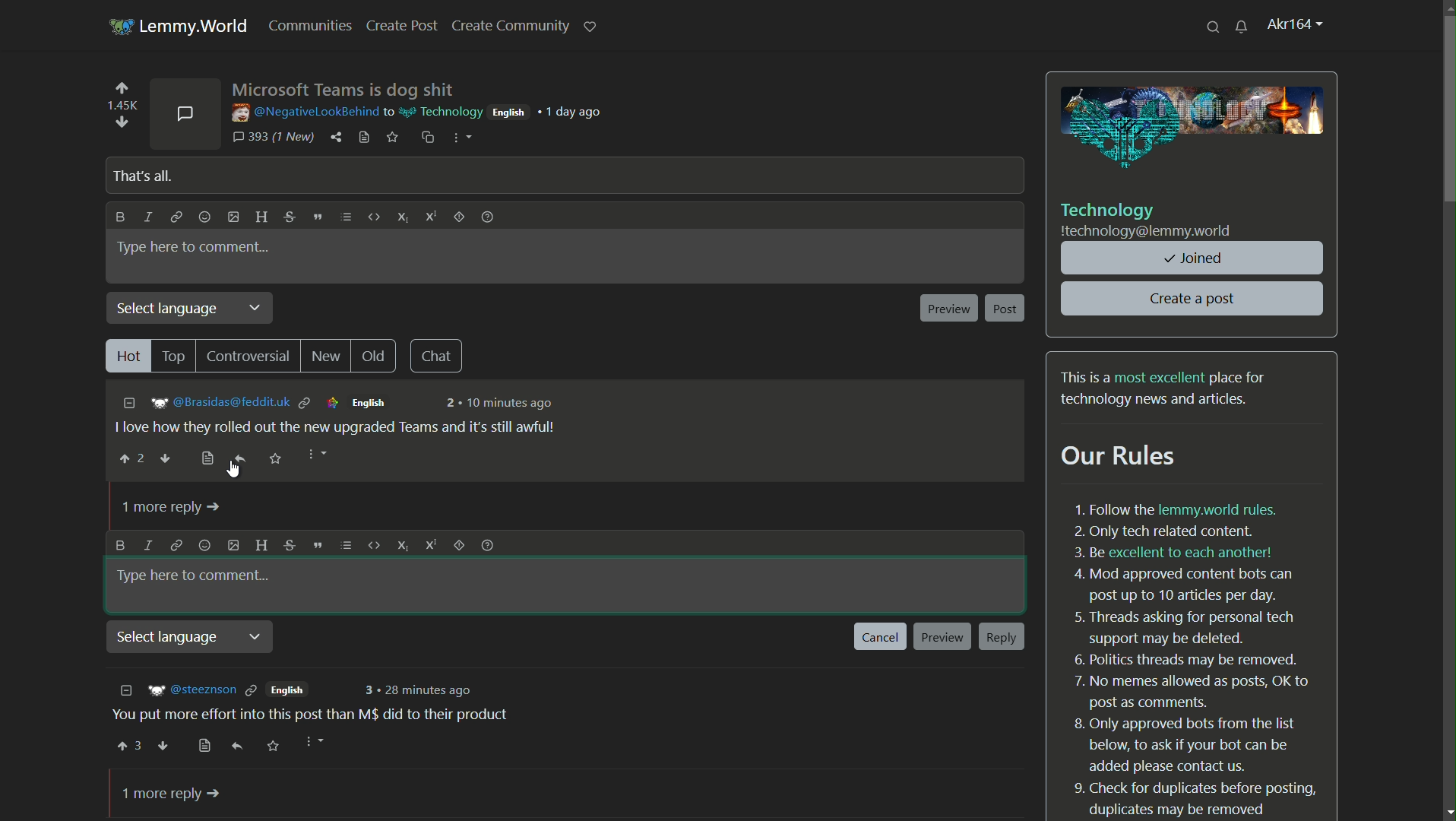 The height and width of the screenshot is (821, 1456). Describe the element at coordinates (1242, 26) in the screenshot. I see `unread messages` at that location.